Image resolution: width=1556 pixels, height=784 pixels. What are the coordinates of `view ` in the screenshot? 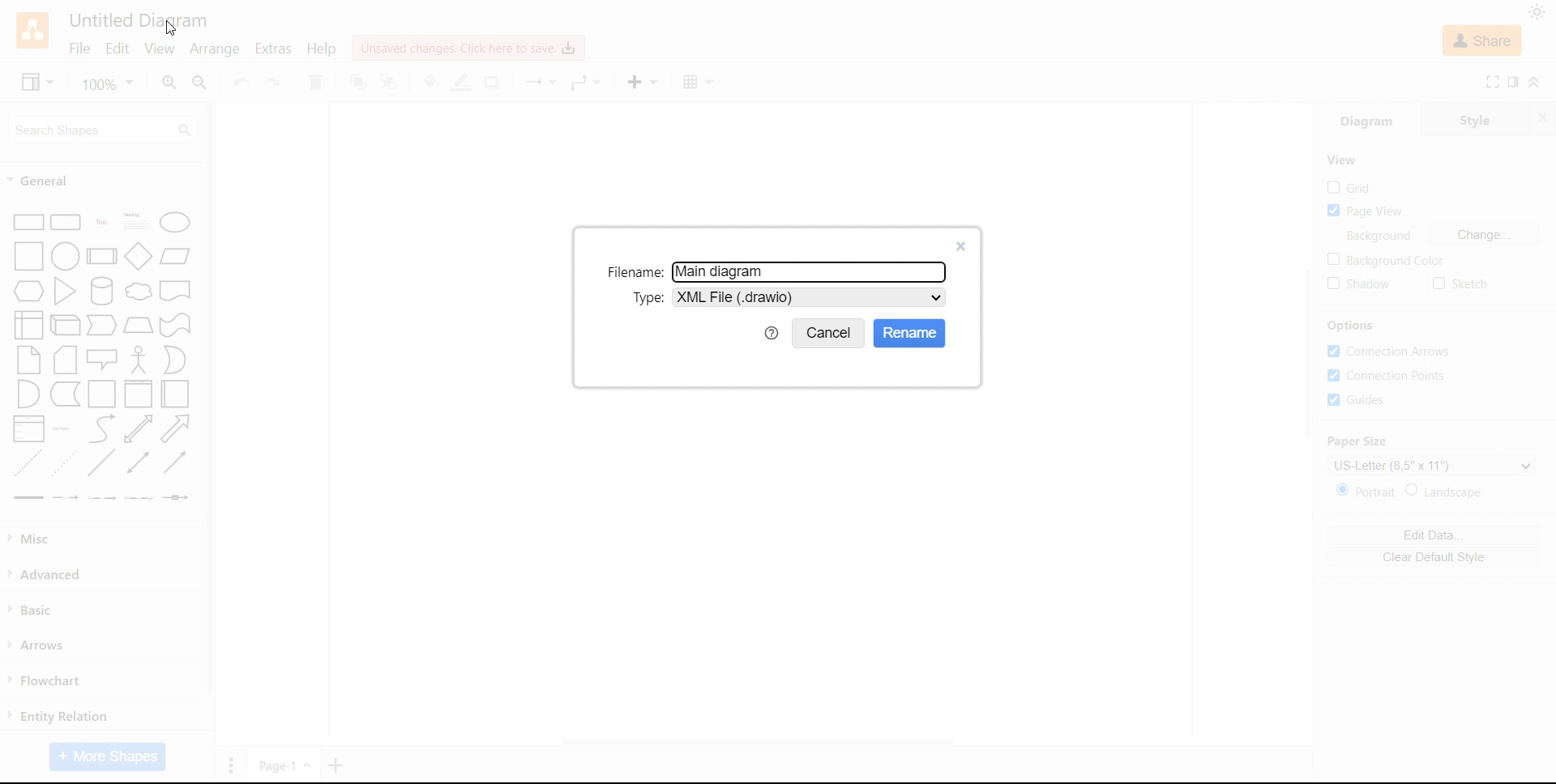 It's located at (158, 49).